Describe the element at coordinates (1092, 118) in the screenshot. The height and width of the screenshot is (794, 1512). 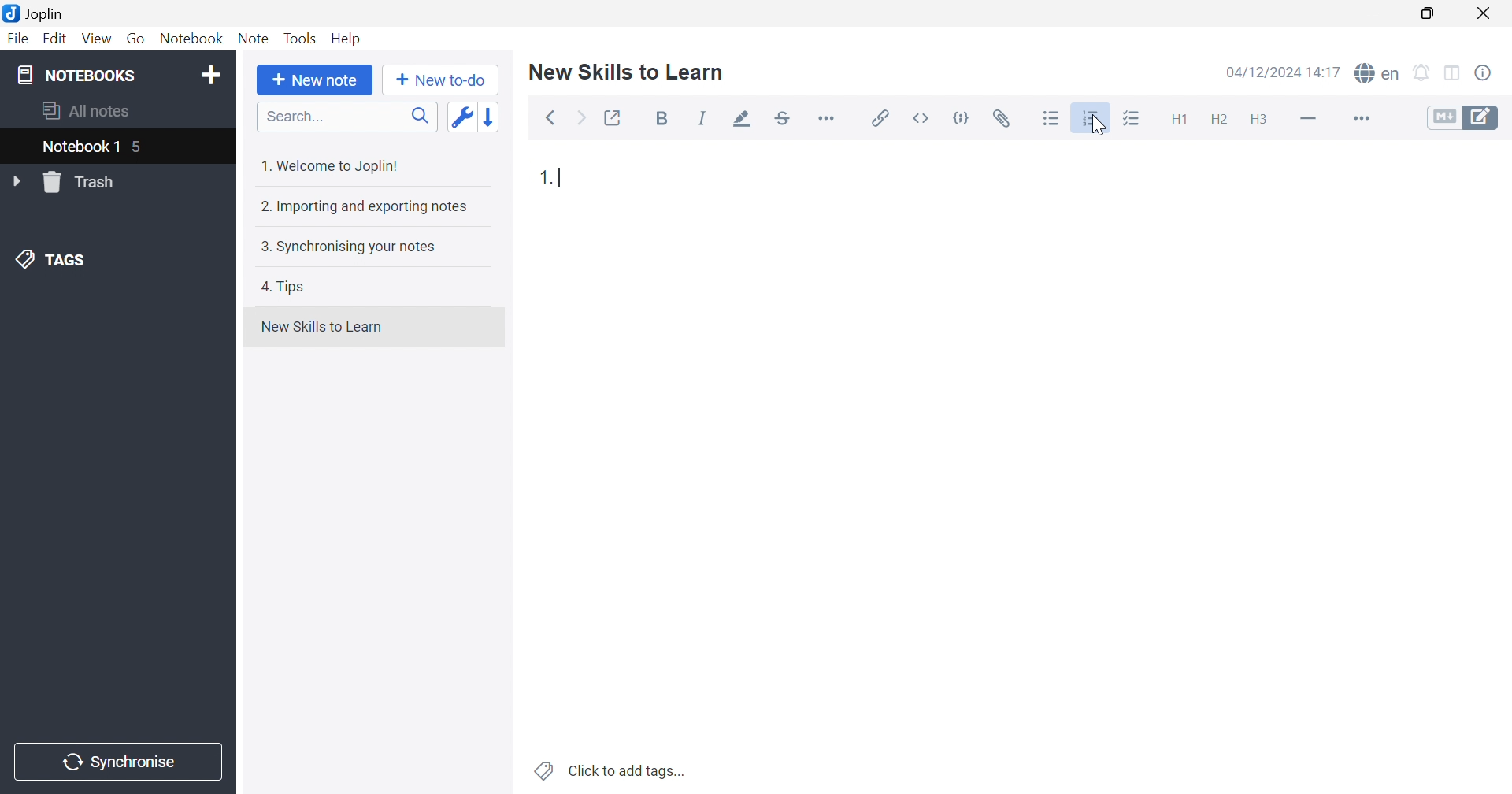
I see `Numbered list` at that location.